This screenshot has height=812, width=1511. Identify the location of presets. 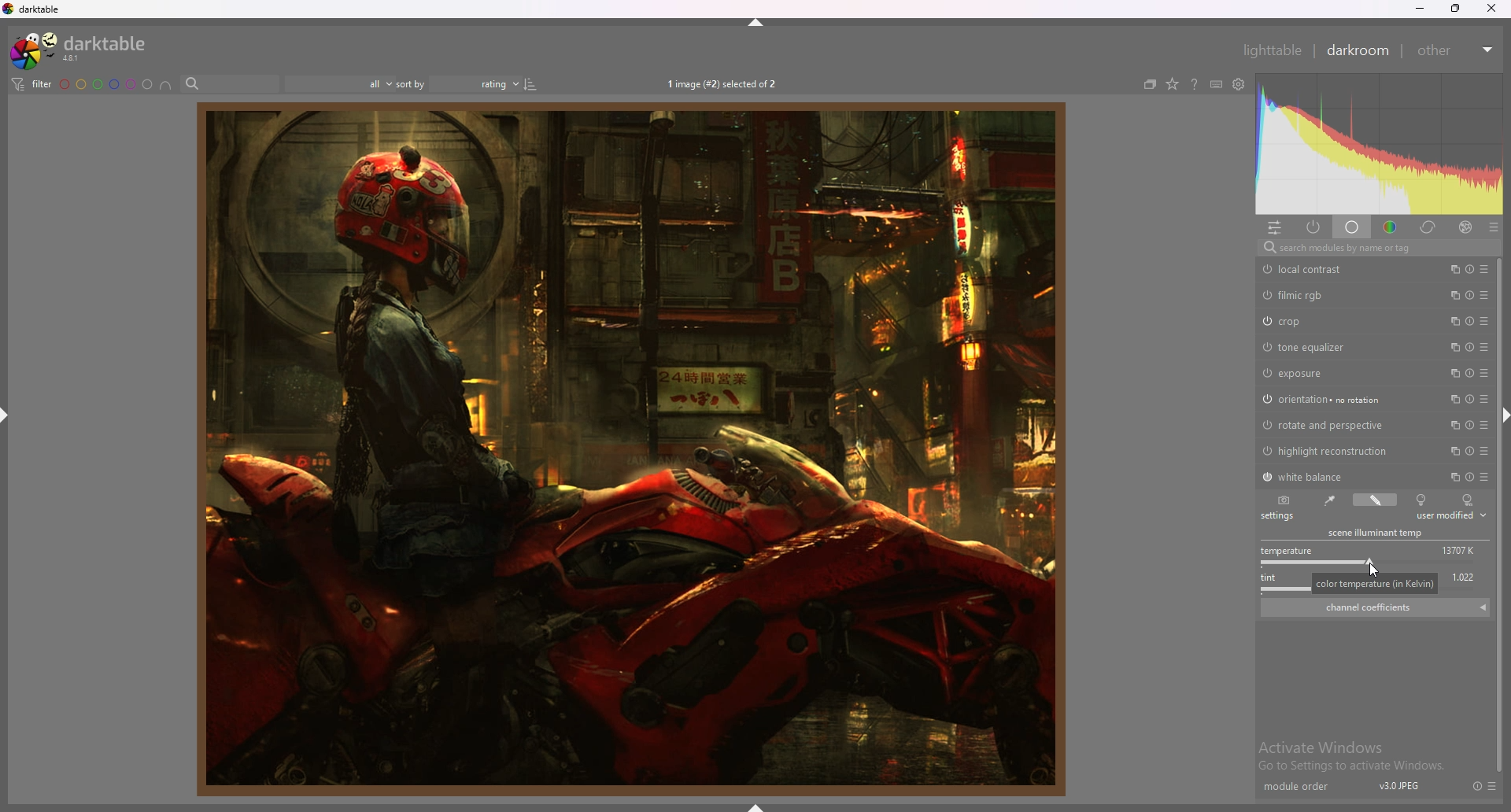
(1494, 228).